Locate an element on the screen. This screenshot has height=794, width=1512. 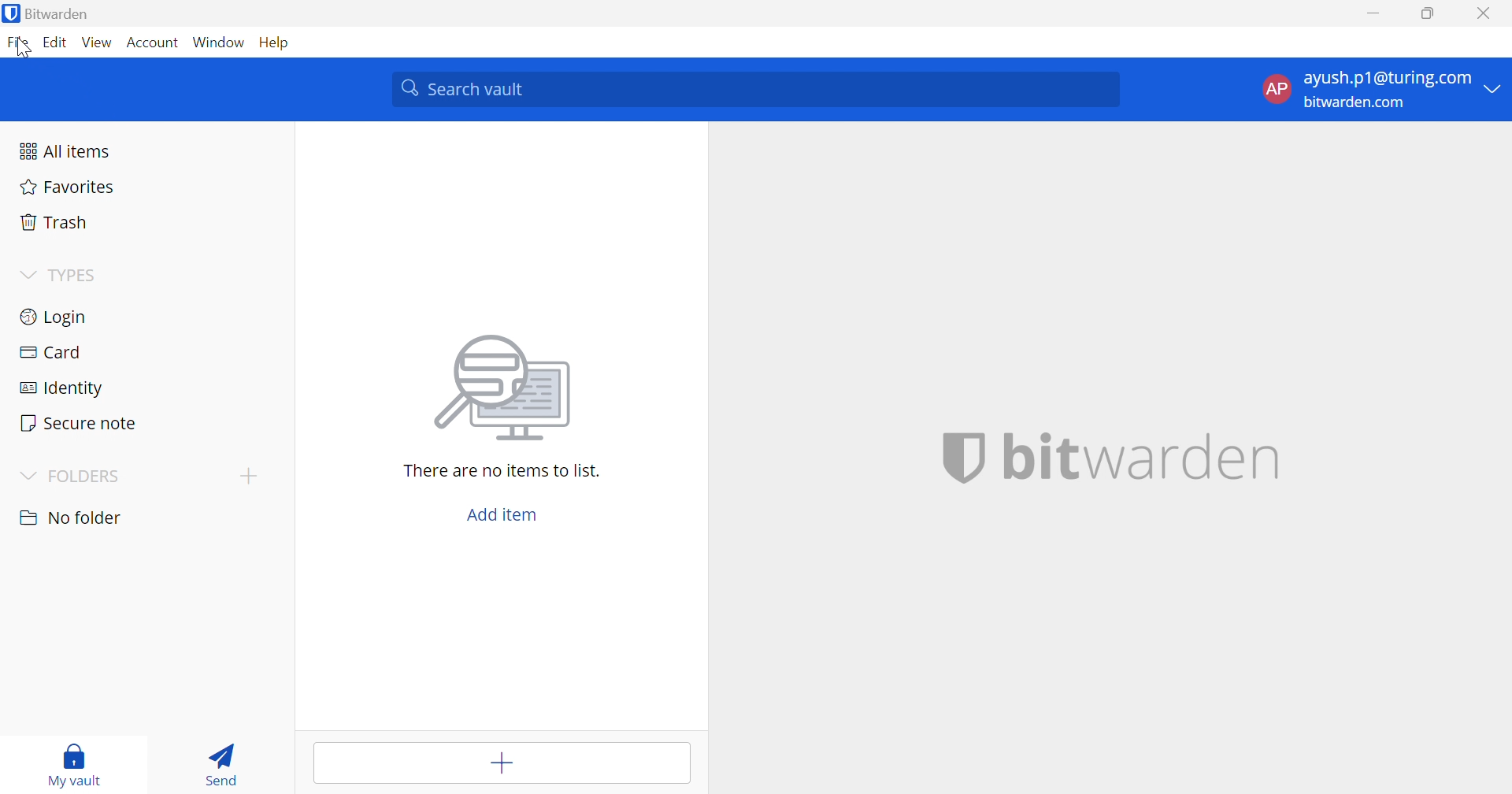
Drop Down is located at coordinates (27, 274).